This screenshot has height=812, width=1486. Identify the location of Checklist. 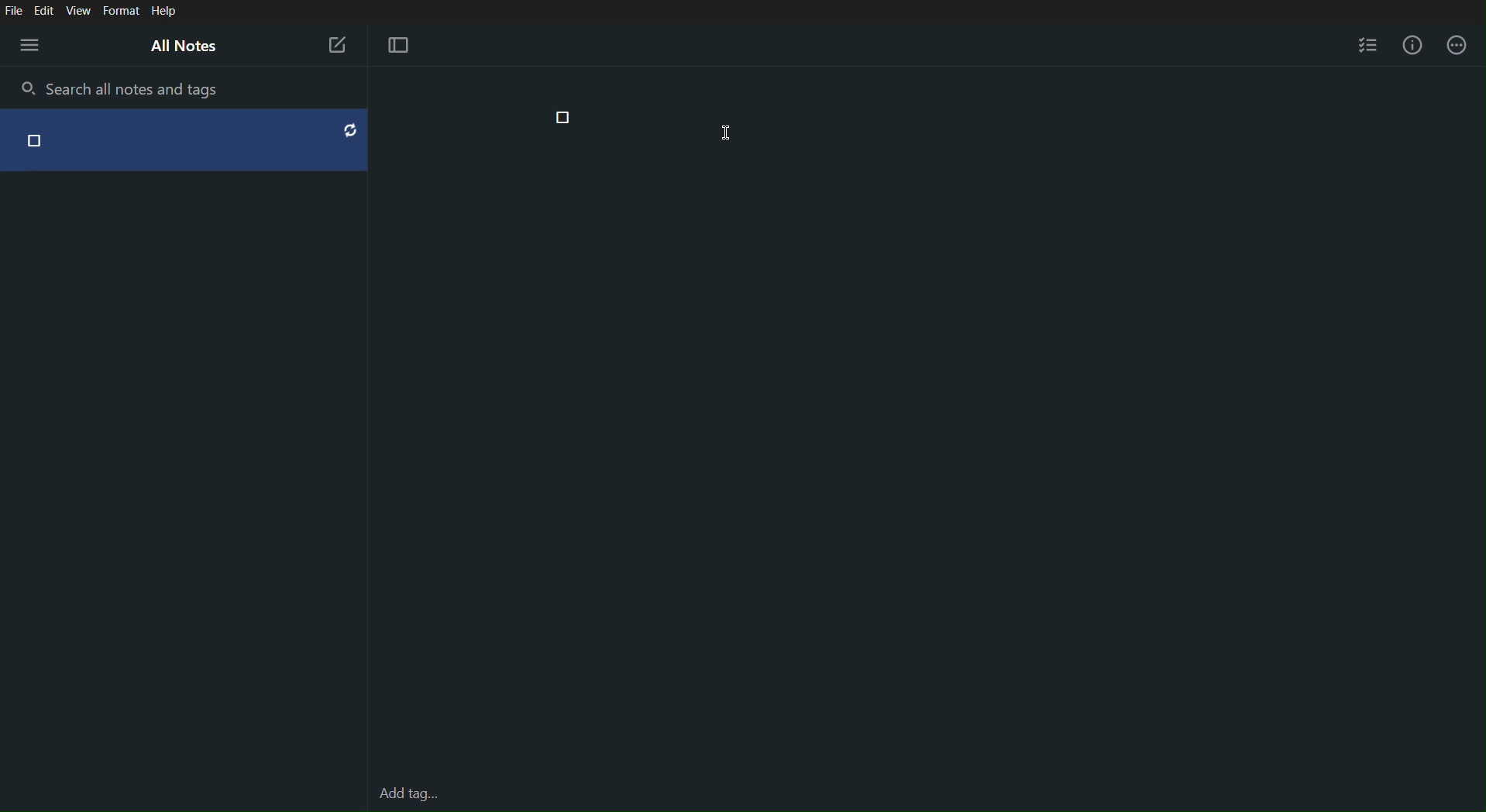
(1367, 43).